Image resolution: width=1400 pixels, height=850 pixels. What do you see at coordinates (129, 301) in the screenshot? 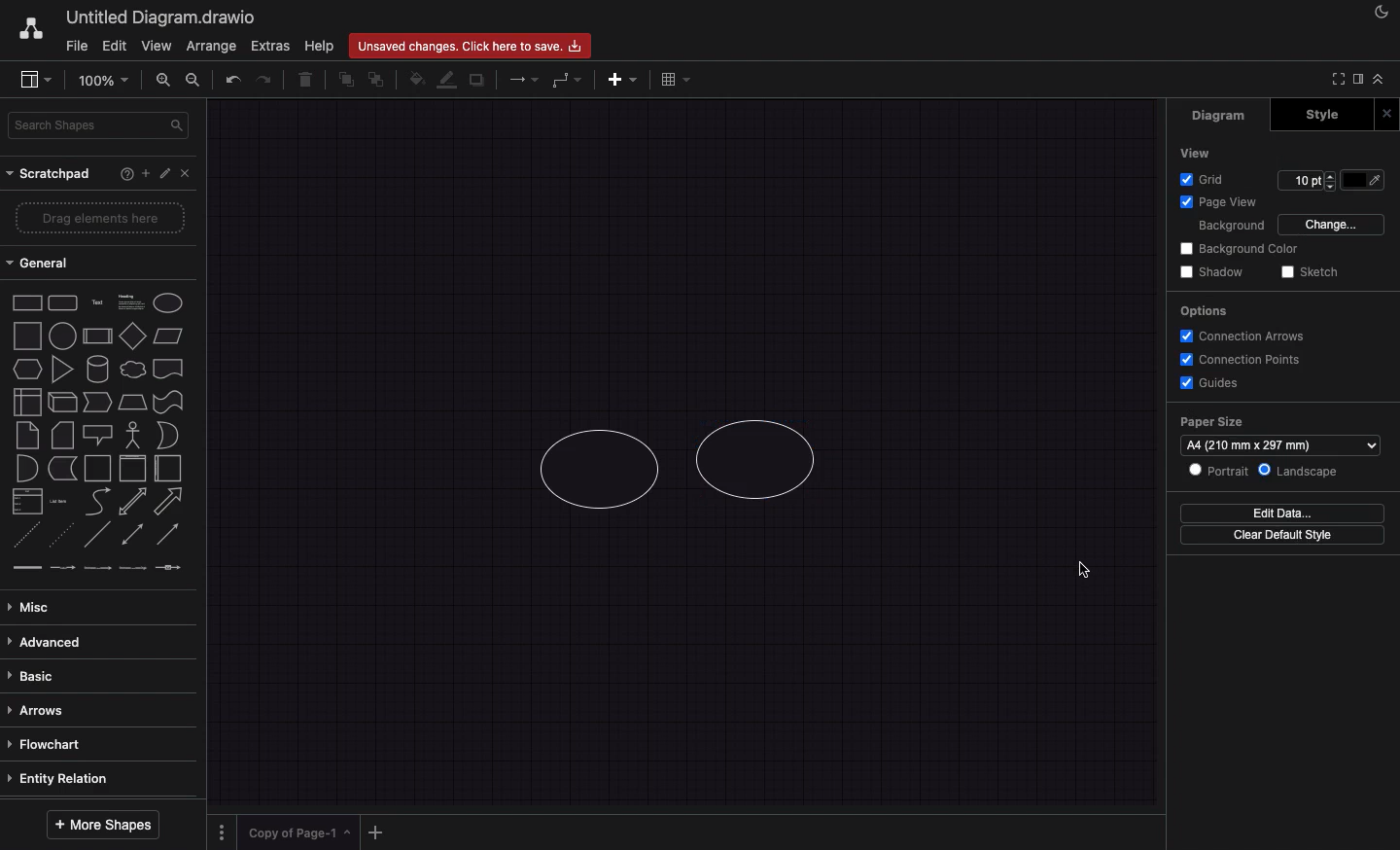
I see `heading` at bounding box center [129, 301].